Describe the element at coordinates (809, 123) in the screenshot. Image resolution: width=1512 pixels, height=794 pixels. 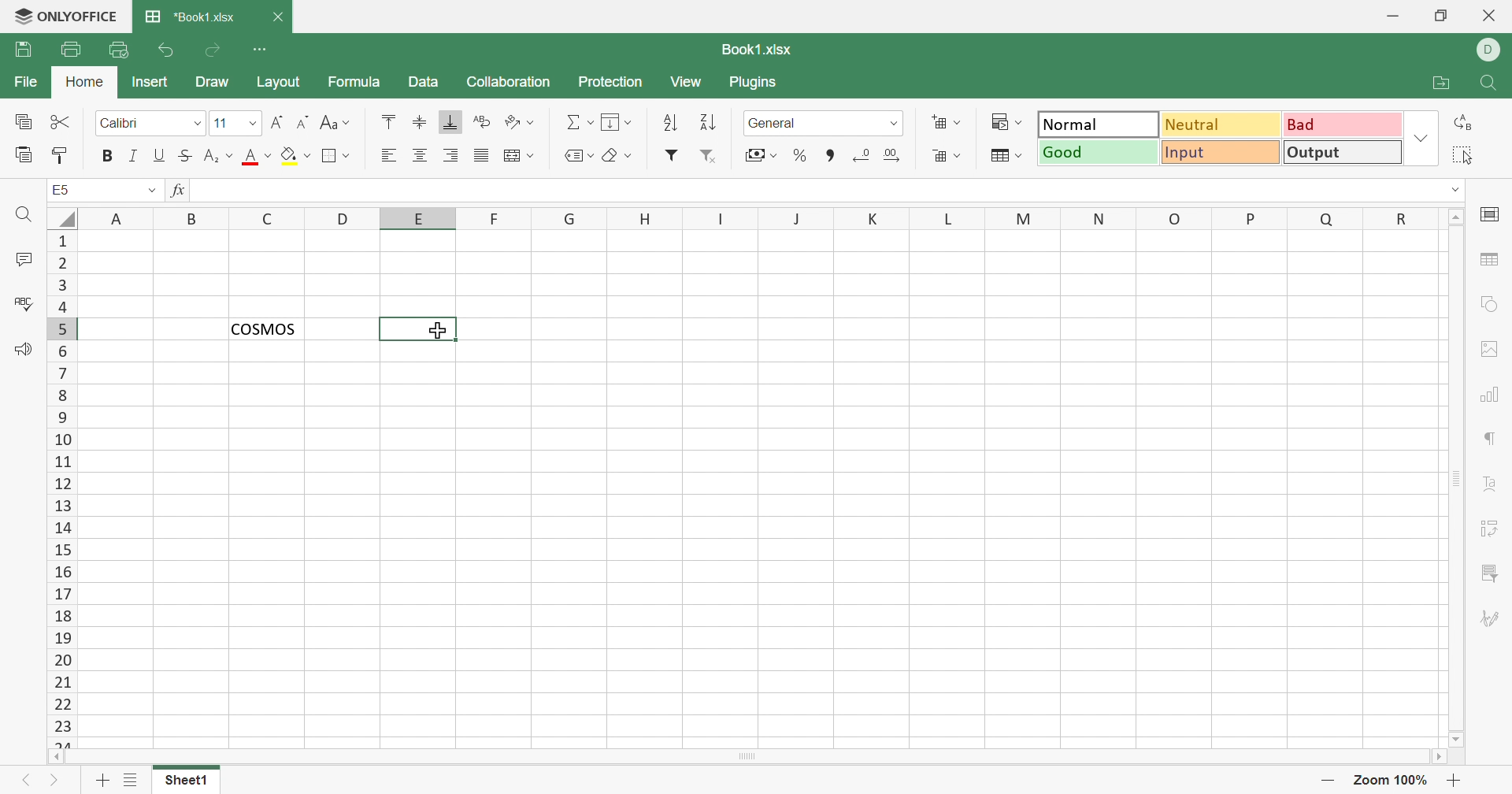
I see `General` at that location.